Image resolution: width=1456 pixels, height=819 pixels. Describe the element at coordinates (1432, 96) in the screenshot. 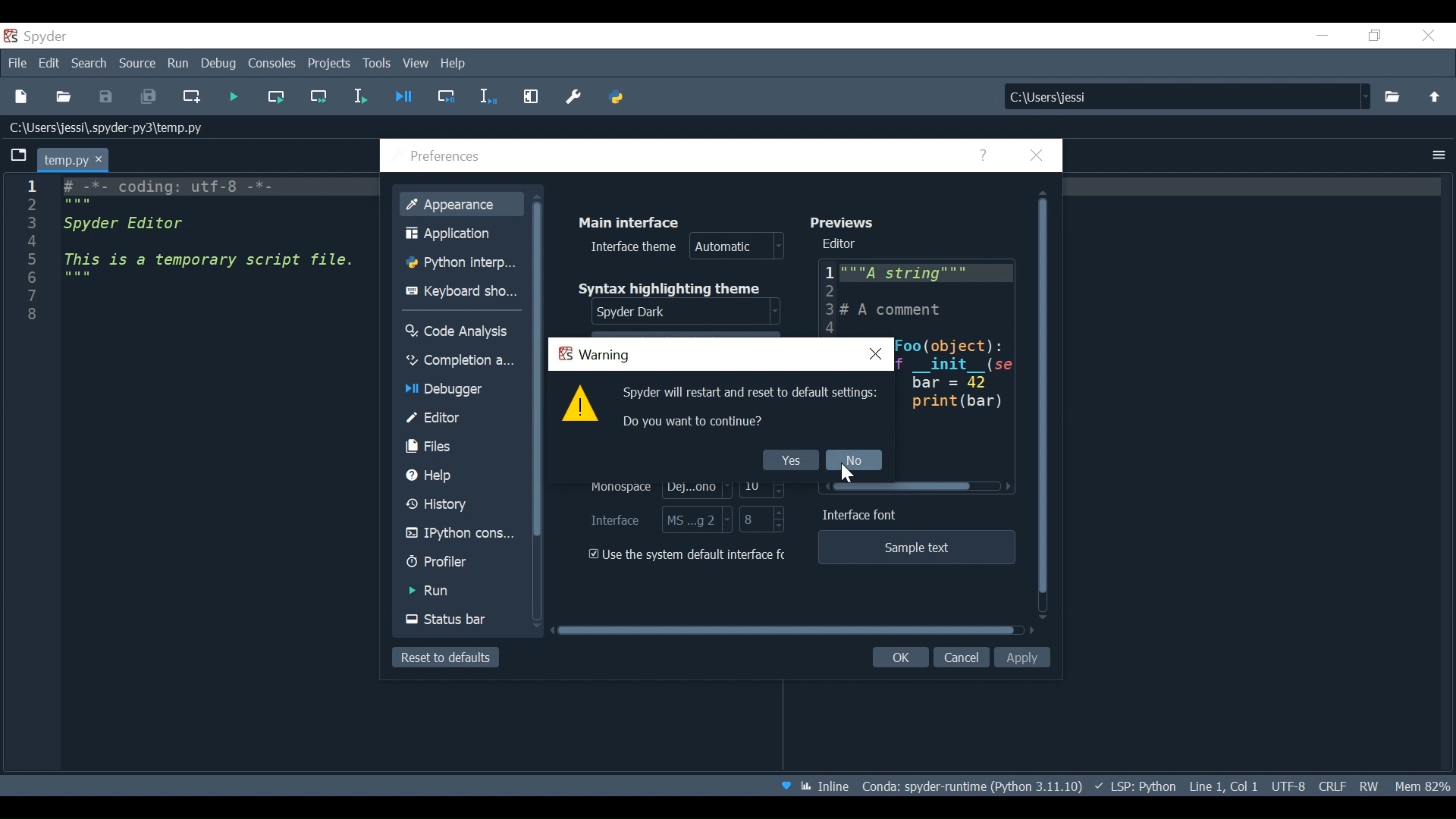

I see `Move up` at that location.